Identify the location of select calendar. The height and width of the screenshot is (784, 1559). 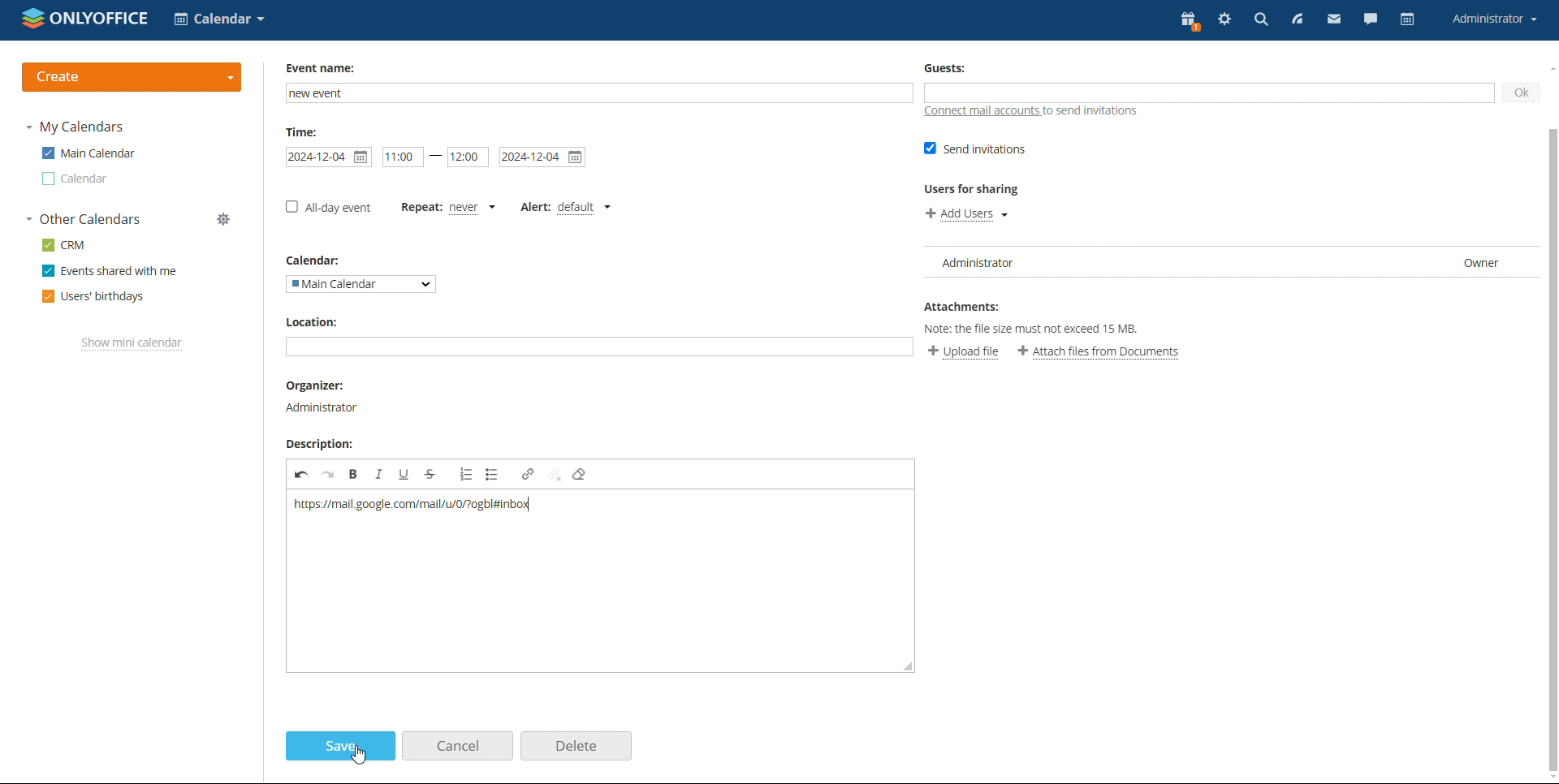
(361, 285).